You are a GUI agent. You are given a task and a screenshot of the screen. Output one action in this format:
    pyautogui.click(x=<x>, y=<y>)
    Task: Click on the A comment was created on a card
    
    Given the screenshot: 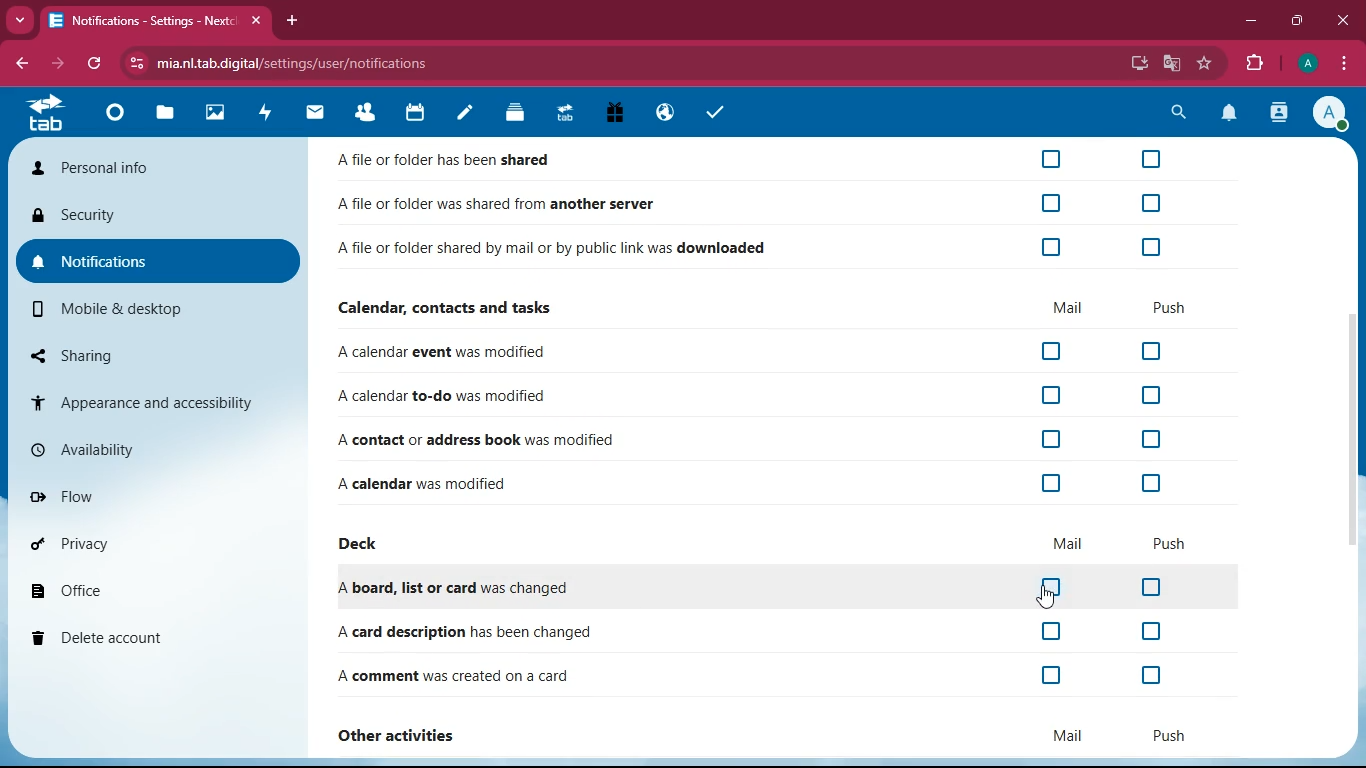 What is the action you would take?
    pyautogui.click(x=460, y=670)
    